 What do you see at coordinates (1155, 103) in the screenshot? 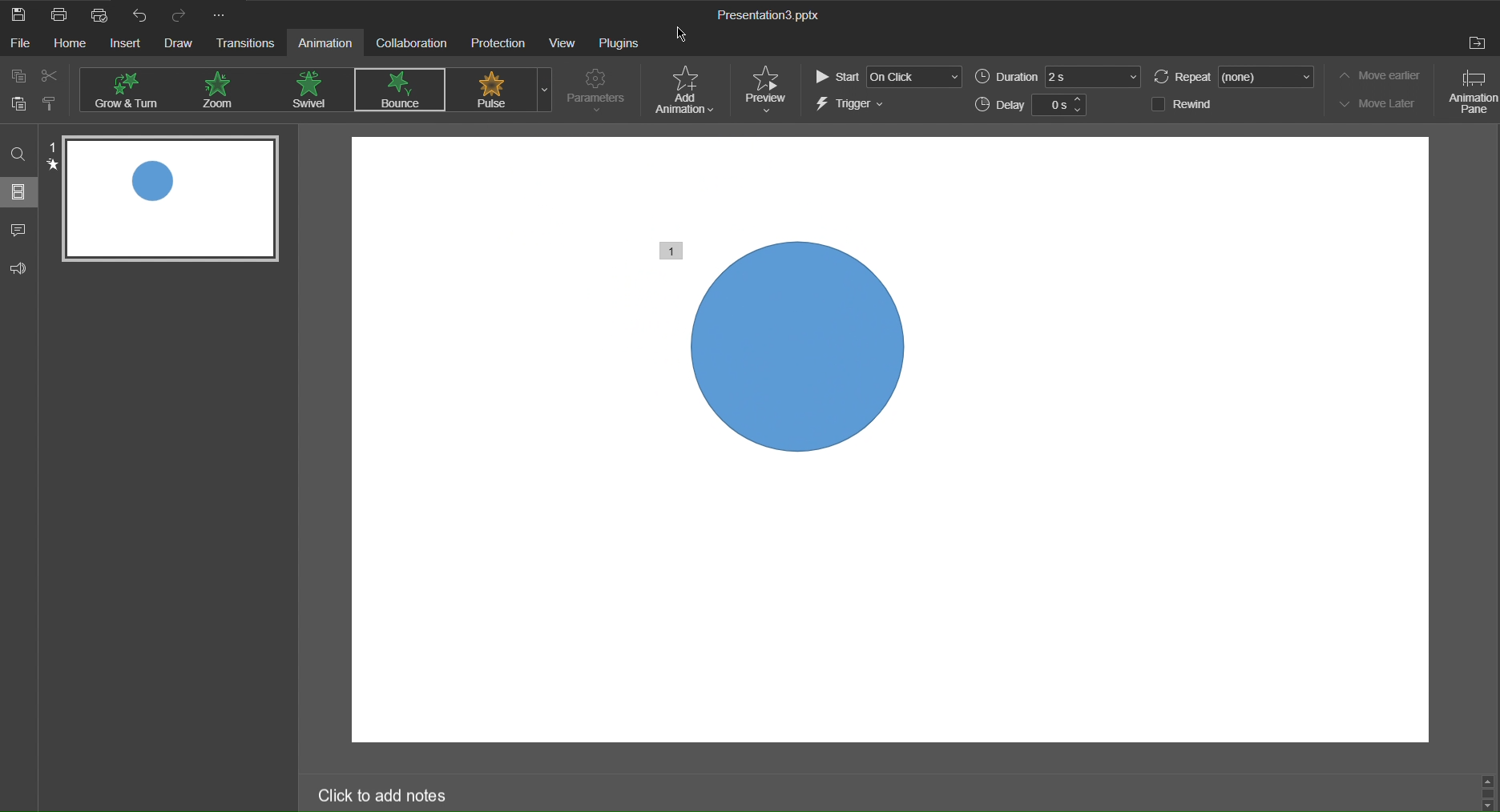
I see `checkbox` at bounding box center [1155, 103].